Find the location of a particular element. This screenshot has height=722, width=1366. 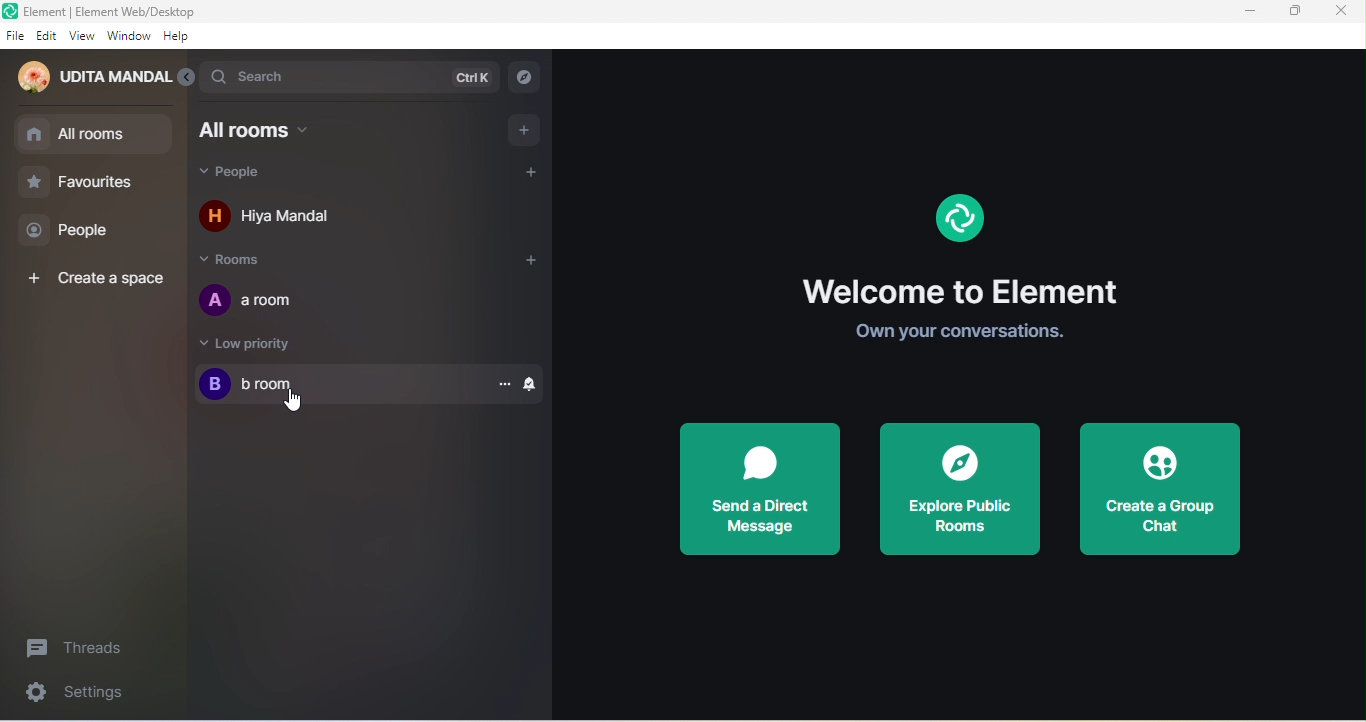

all room is located at coordinates (94, 135).